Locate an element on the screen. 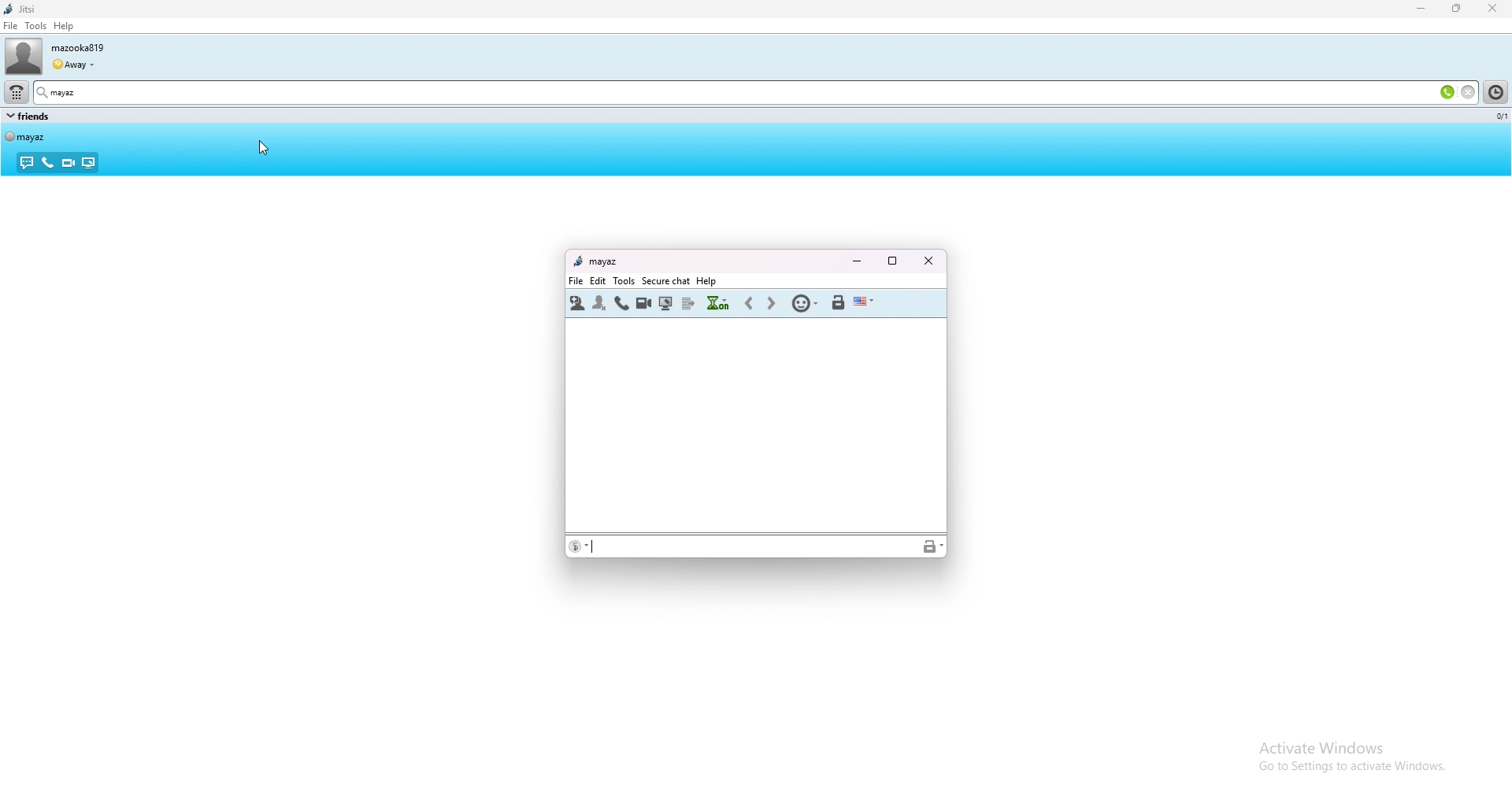 The width and height of the screenshot is (1512, 811). dialpad is located at coordinates (16, 92).